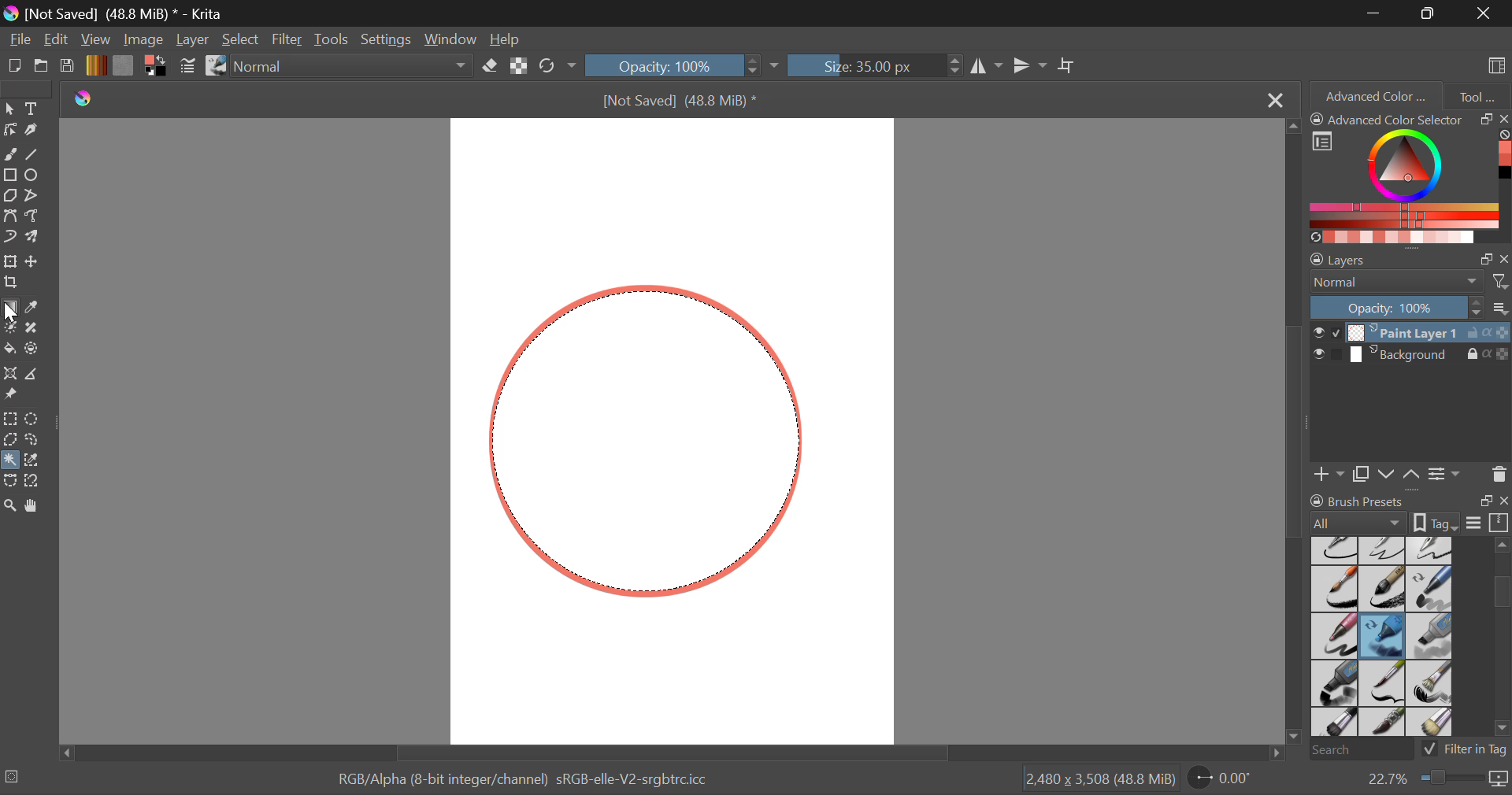  I want to click on Line, so click(35, 156).